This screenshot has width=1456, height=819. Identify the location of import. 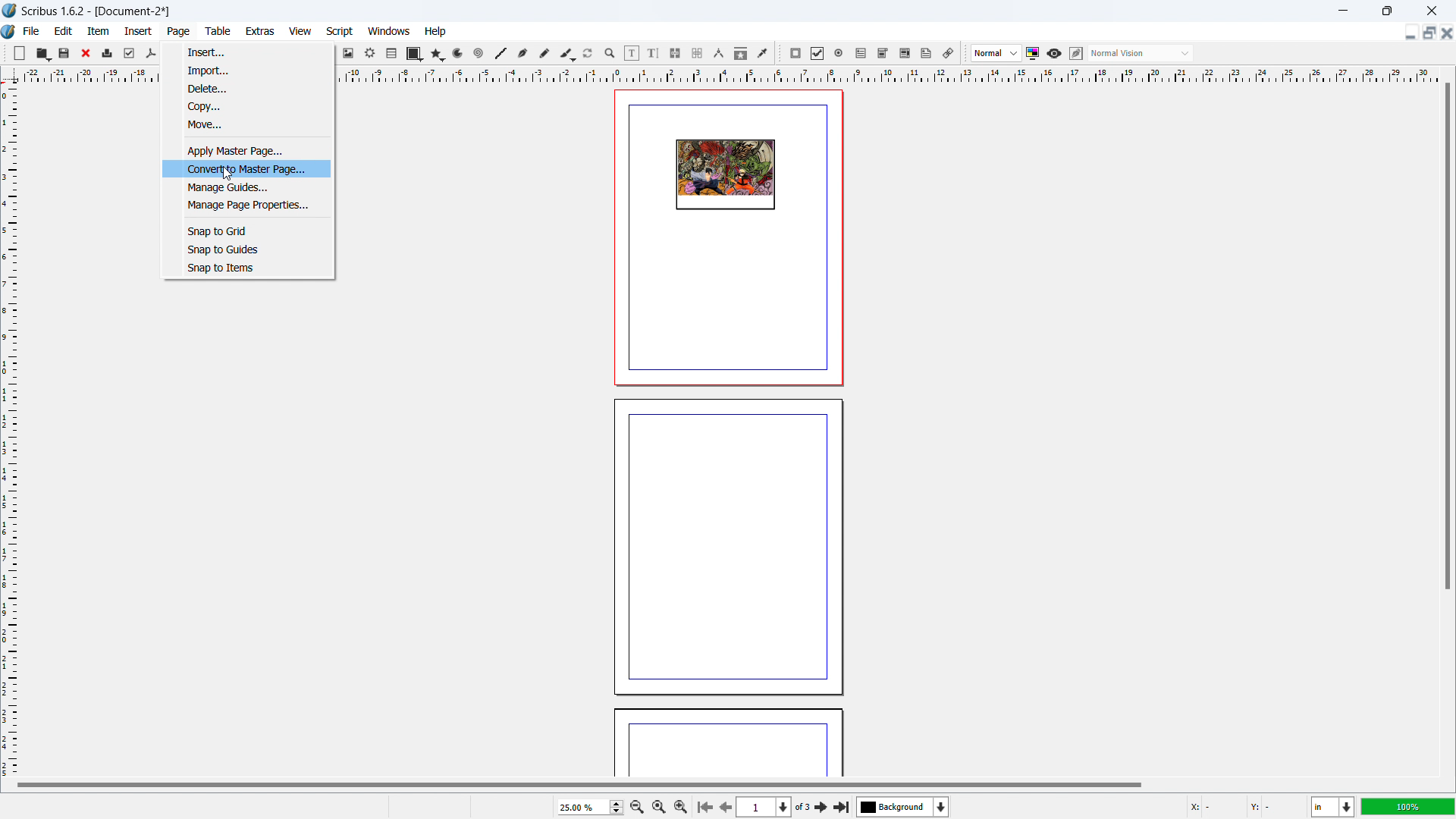
(246, 70).